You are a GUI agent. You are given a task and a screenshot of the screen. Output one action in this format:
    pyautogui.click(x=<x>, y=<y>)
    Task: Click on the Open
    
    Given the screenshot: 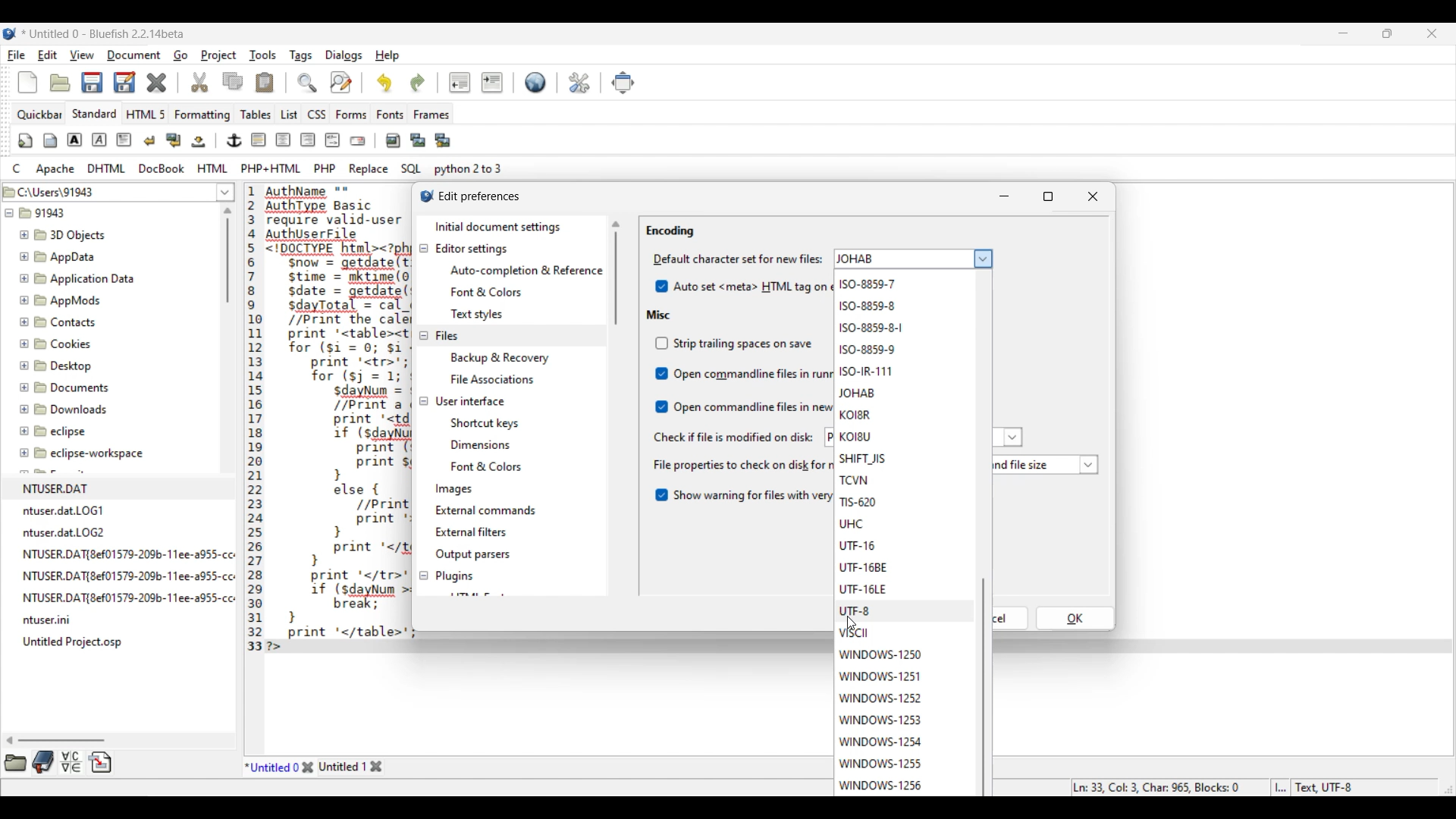 What is the action you would take?
    pyautogui.click(x=60, y=83)
    